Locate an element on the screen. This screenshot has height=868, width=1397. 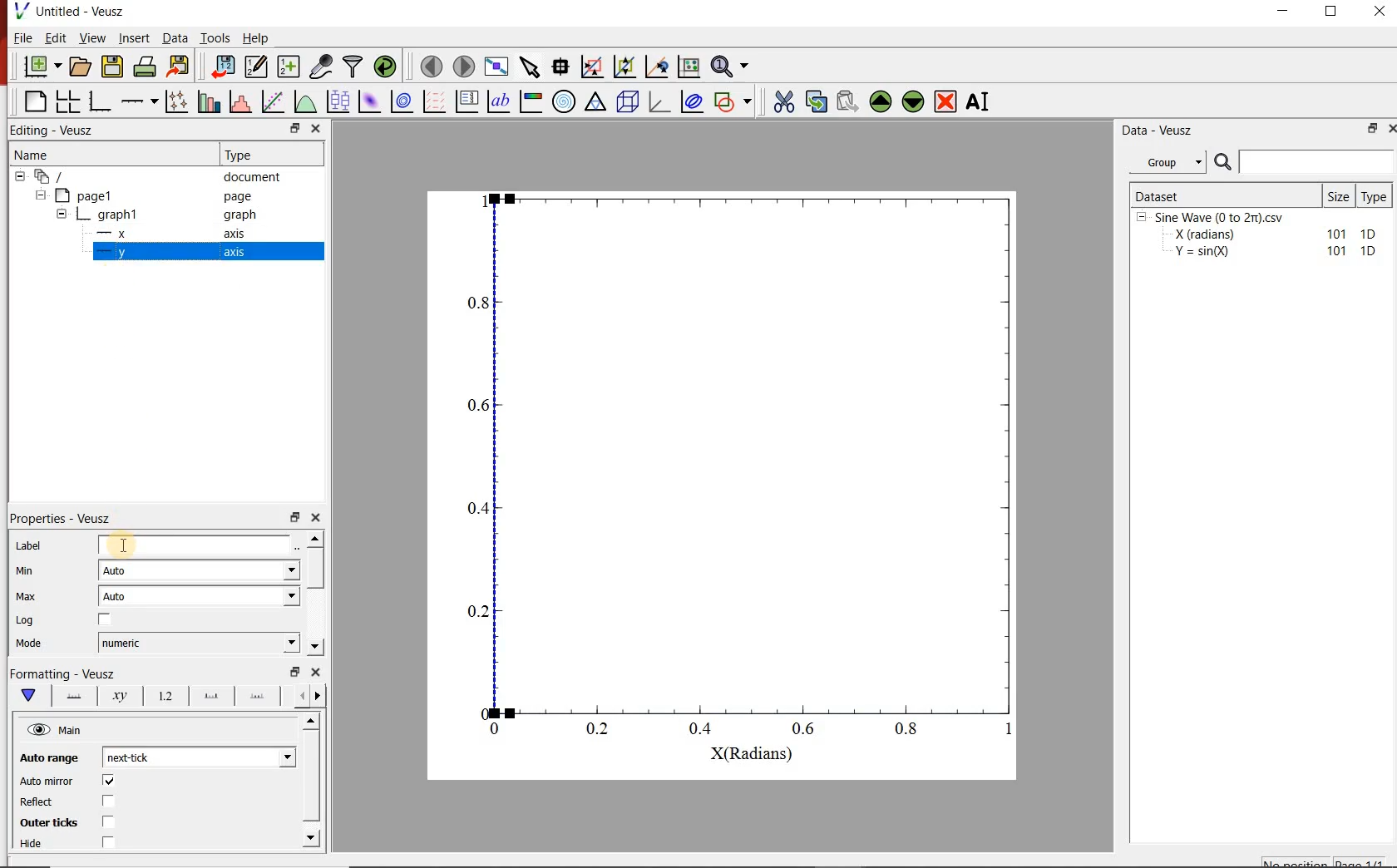
@ main is located at coordinates (54, 731).